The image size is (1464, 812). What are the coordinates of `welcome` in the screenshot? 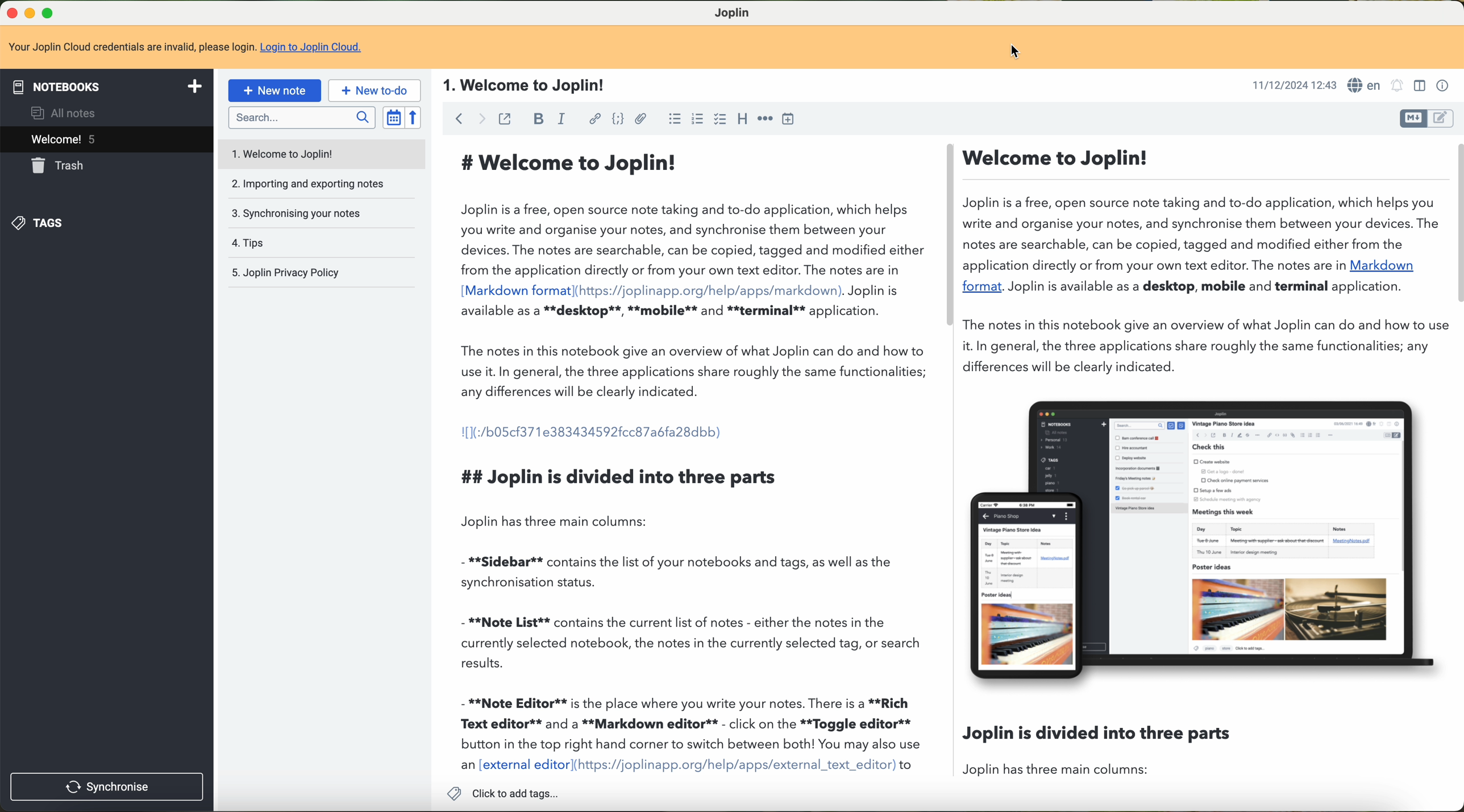 It's located at (105, 139).